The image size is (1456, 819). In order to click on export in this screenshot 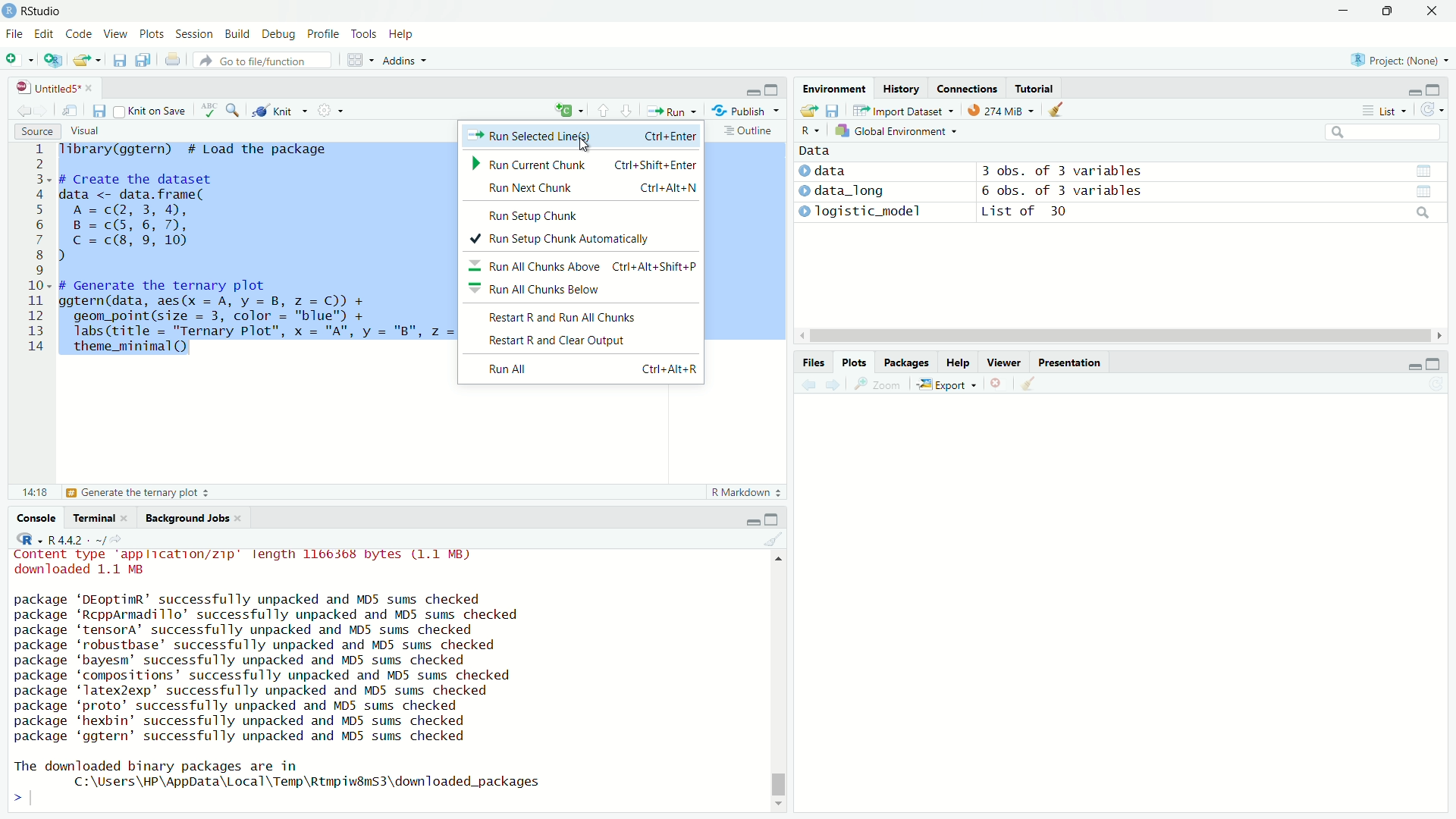, I will do `click(89, 61)`.